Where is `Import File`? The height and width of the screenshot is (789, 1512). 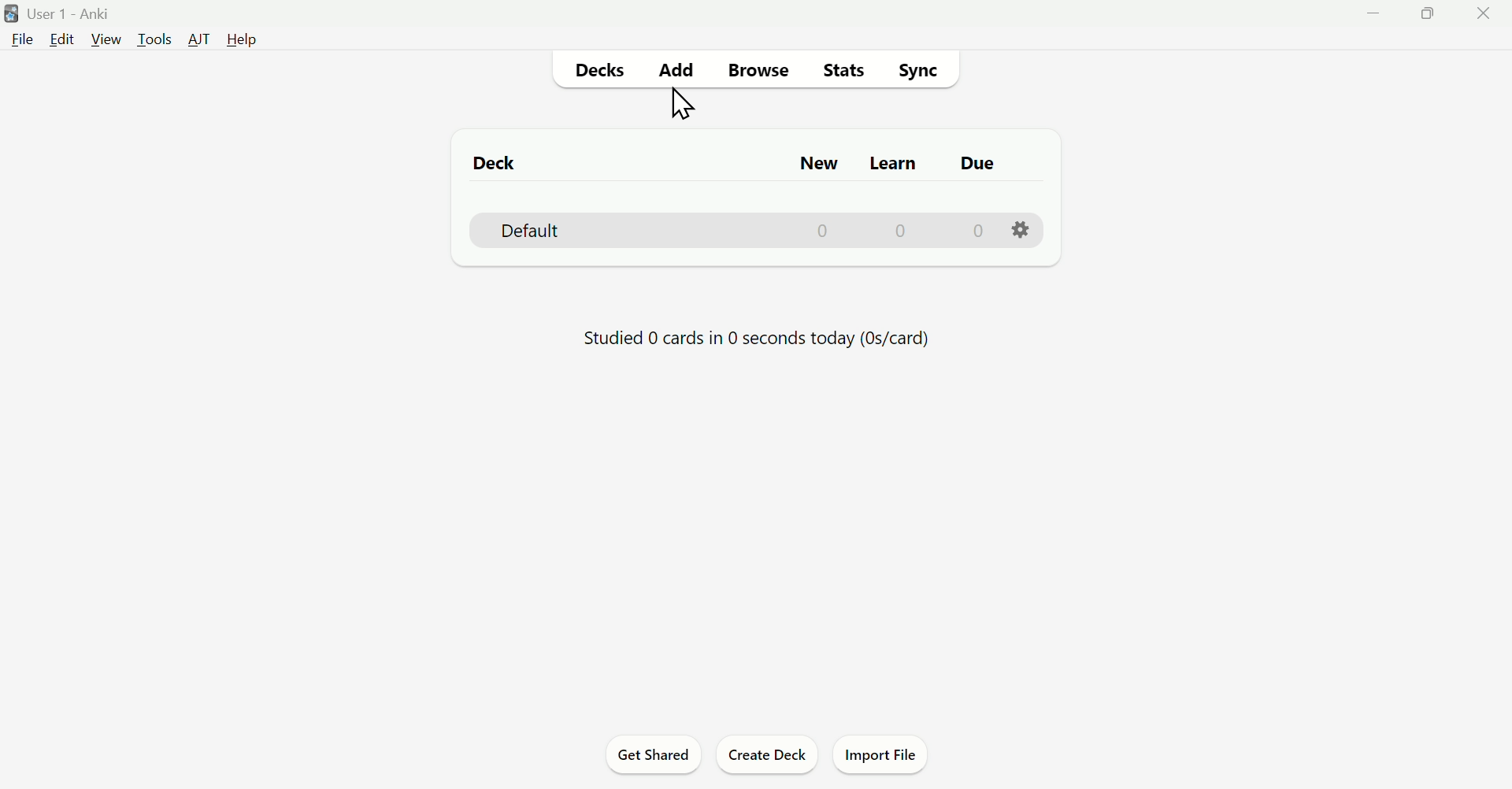
Import File is located at coordinates (887, 755).